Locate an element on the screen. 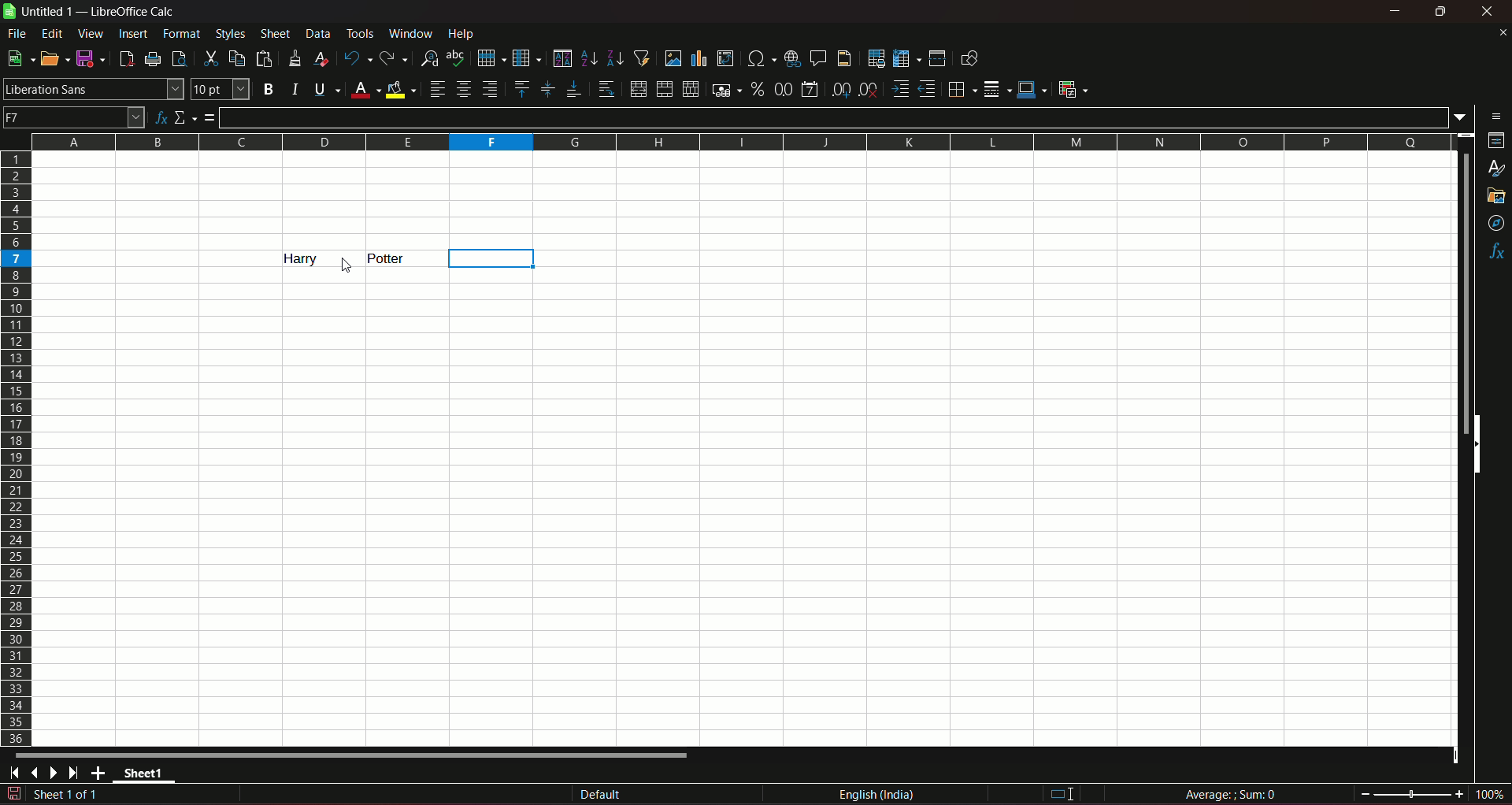 The image size is (1512, 805). decrease indent is located at coordinates (927, 89).